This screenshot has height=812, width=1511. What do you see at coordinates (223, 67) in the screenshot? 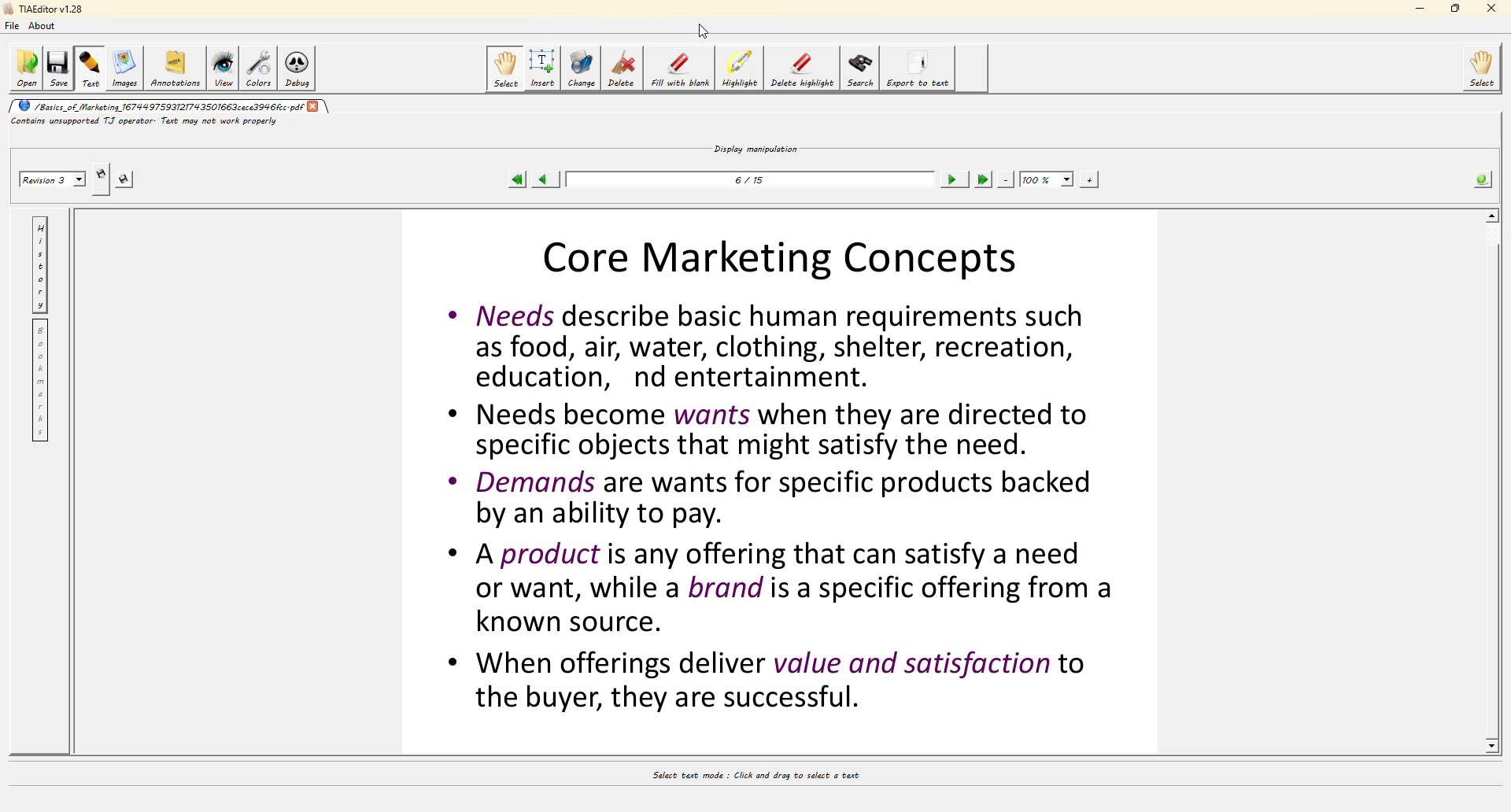
I see `view` at bounding box center [223, 67].